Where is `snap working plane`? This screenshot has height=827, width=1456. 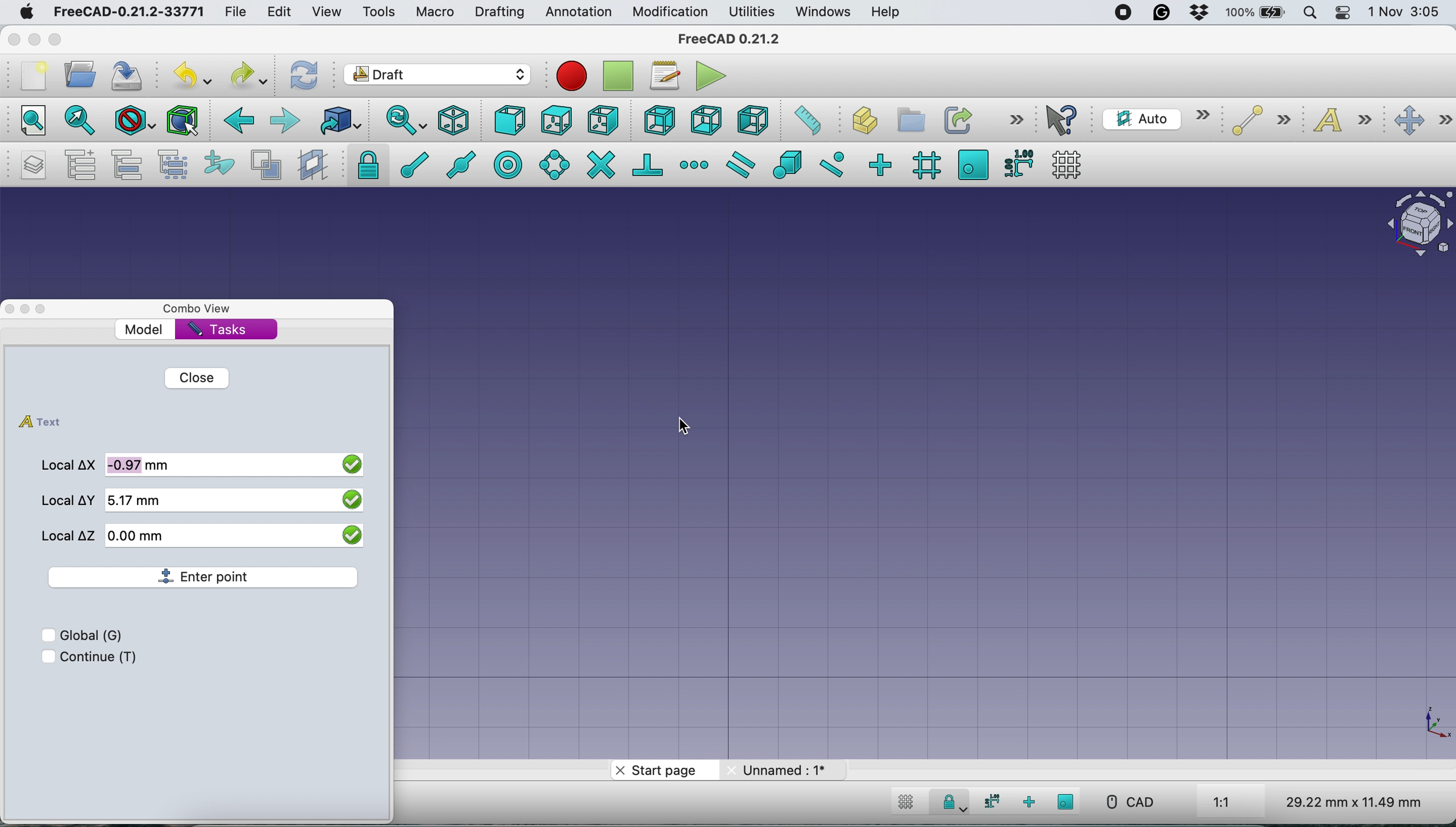
snap working plane is located at coordinates (971, 164).